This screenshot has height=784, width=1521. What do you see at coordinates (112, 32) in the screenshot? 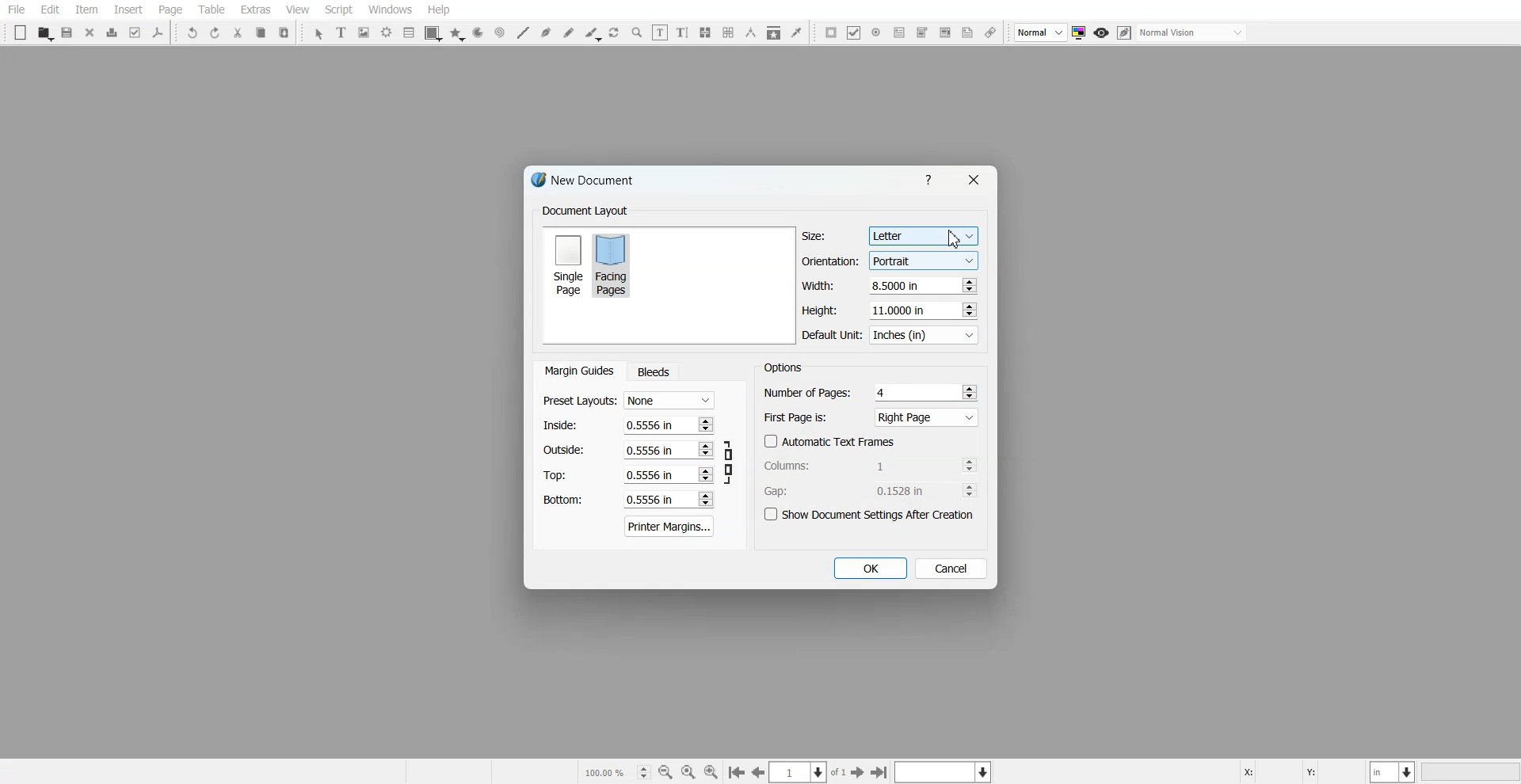
I see `Print` at bounding box center [112, 32].